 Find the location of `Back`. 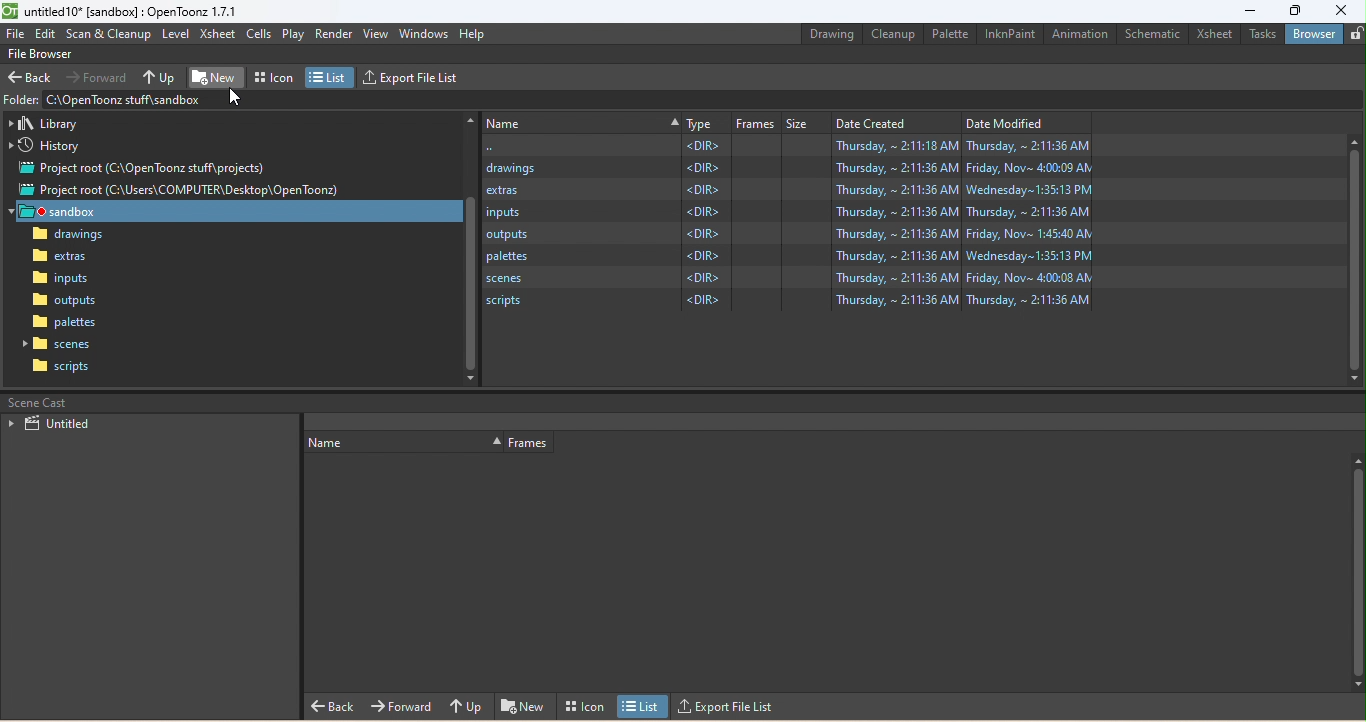

Back is located at coordinates (31, 79).